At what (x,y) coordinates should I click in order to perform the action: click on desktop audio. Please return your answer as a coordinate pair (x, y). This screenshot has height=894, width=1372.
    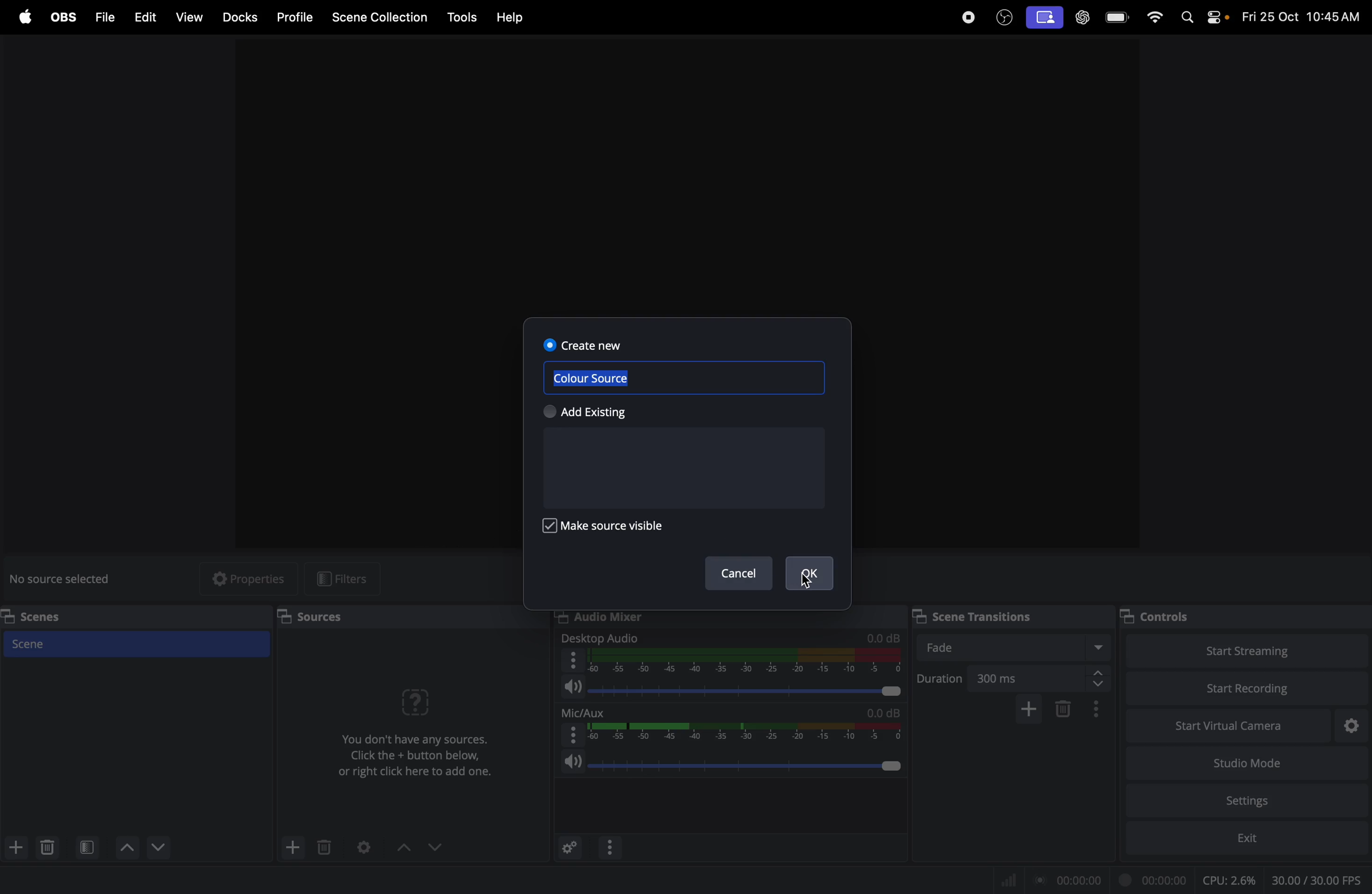
    Looking at the image, I should click on (733, 661).